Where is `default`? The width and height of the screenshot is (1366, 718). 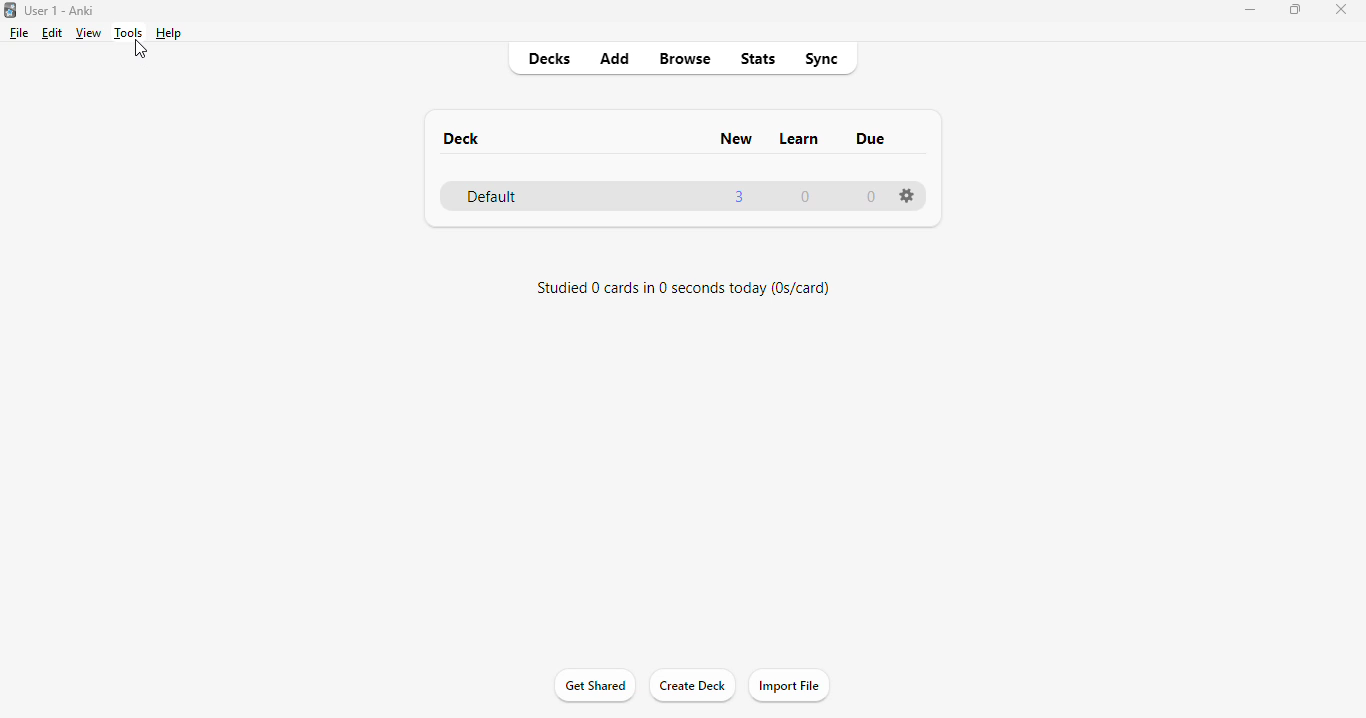
default is located at coordinates (492, 197).